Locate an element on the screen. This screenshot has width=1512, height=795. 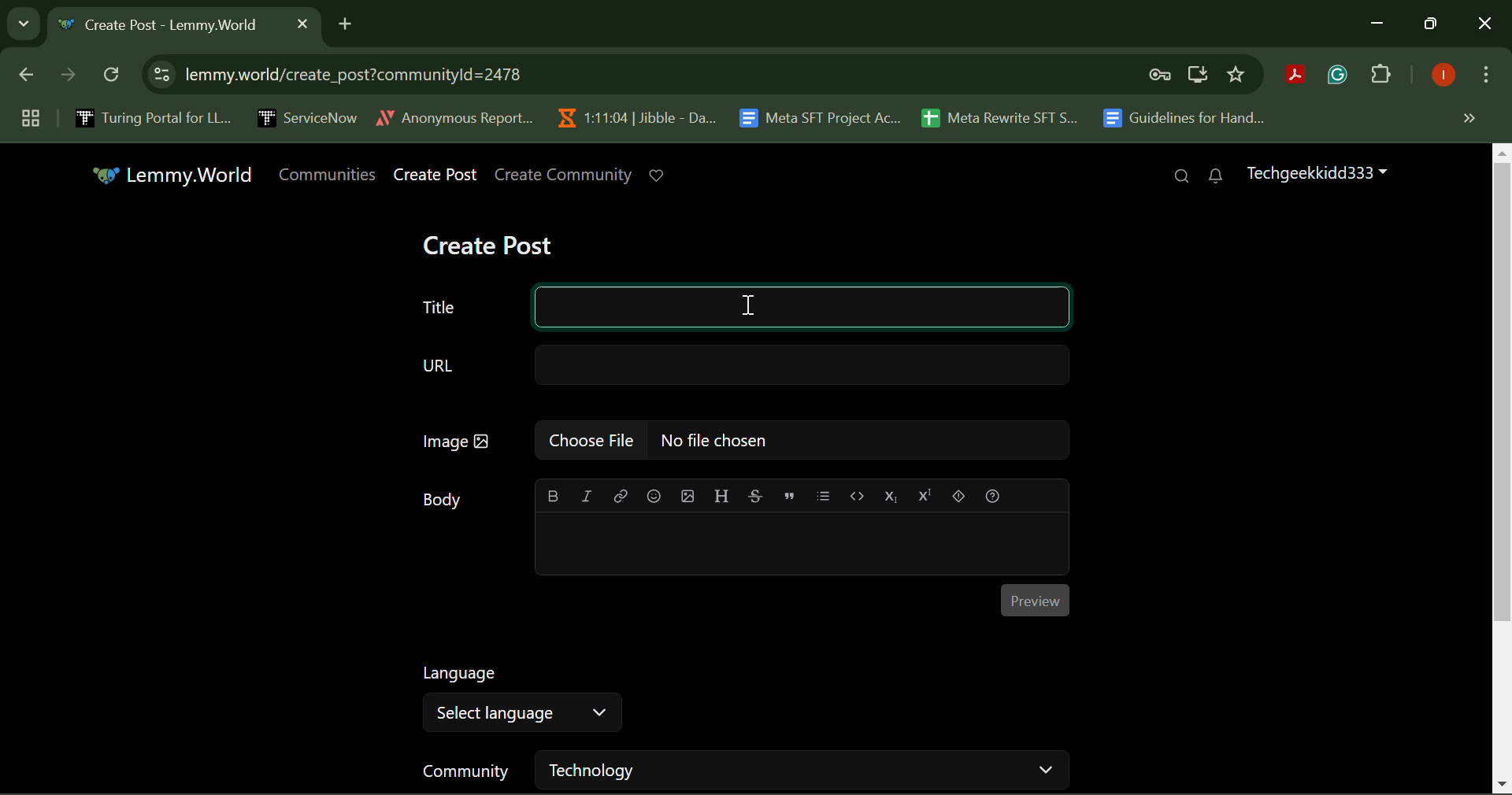
Logged In User is located at coordinates (1440, 76).